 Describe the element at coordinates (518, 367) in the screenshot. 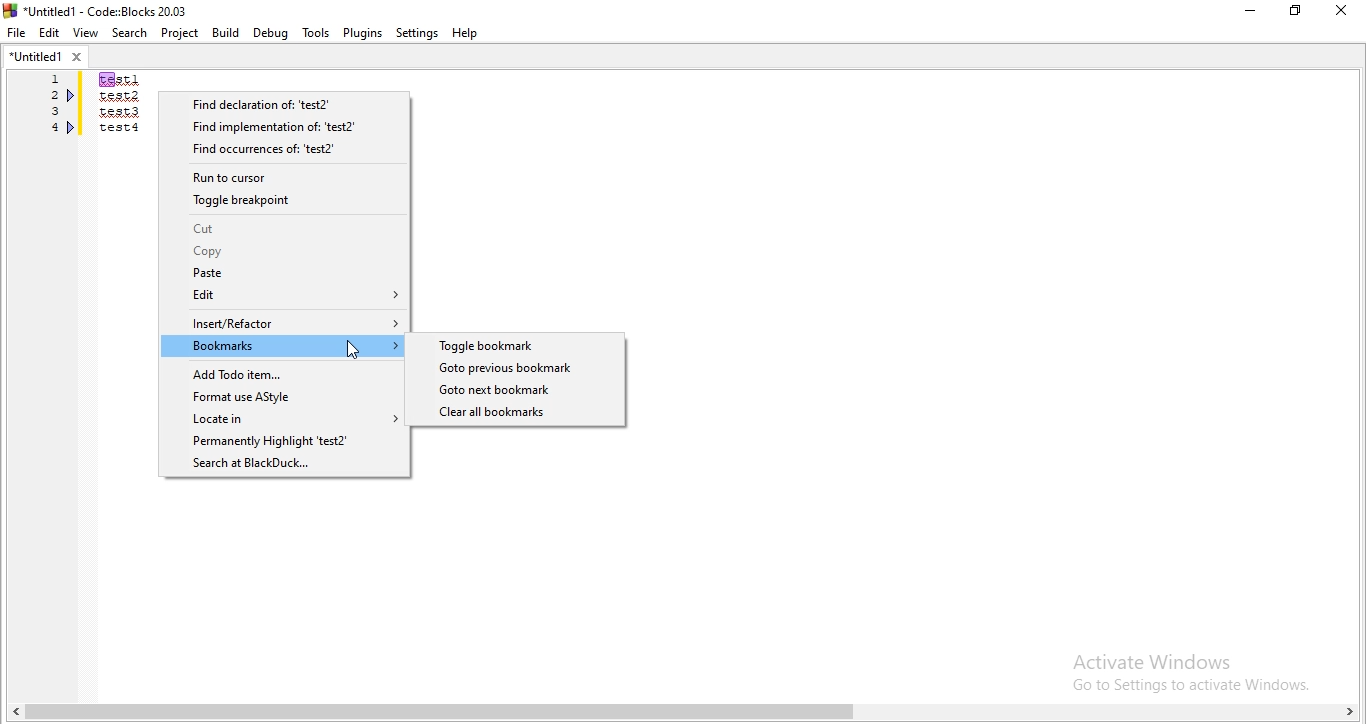

I see `Goto previous bookmark` at that location.